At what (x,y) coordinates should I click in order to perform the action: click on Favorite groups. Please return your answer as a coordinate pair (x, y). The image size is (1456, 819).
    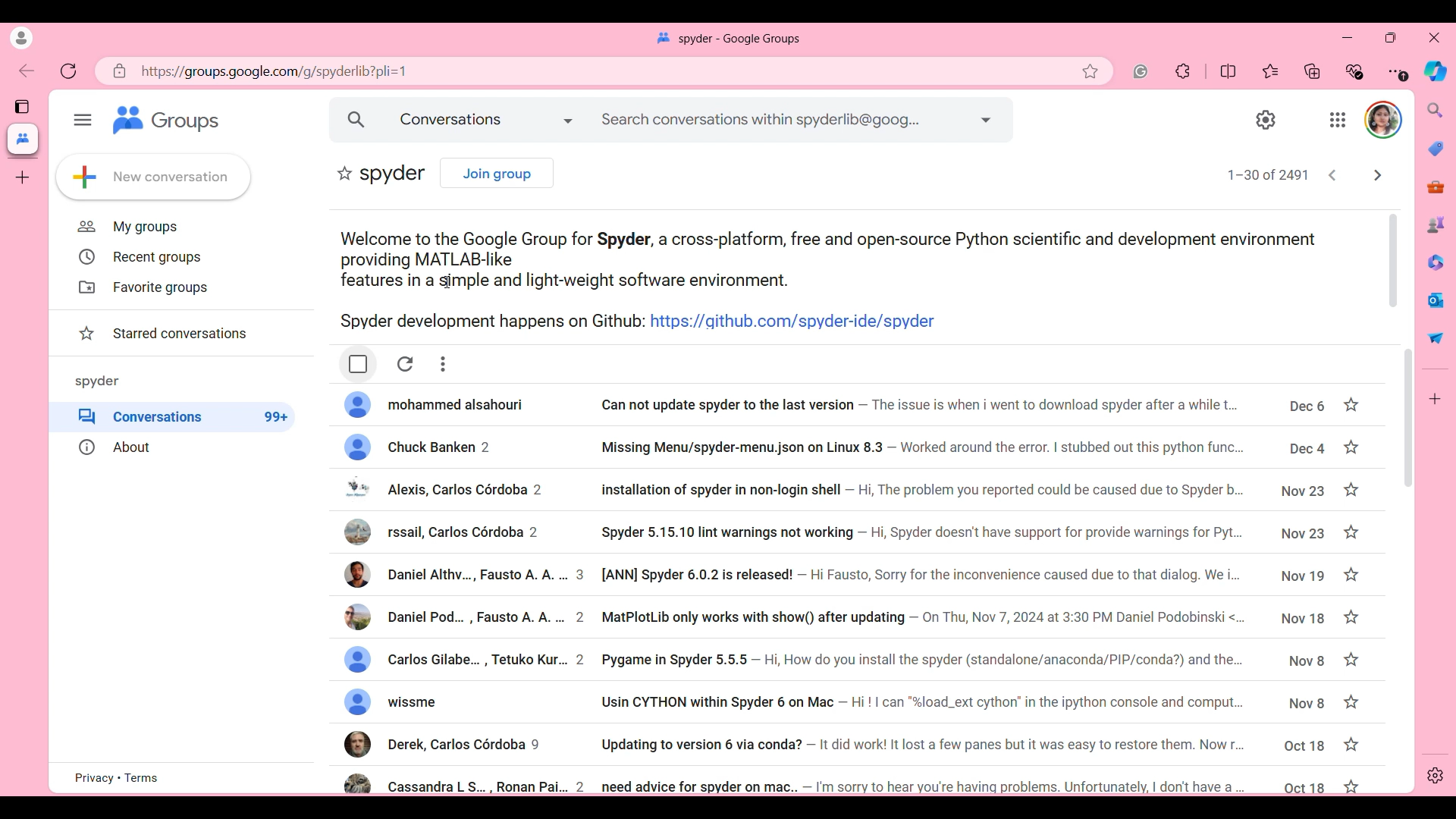
    Looking at the image, I should click on (140, 287).